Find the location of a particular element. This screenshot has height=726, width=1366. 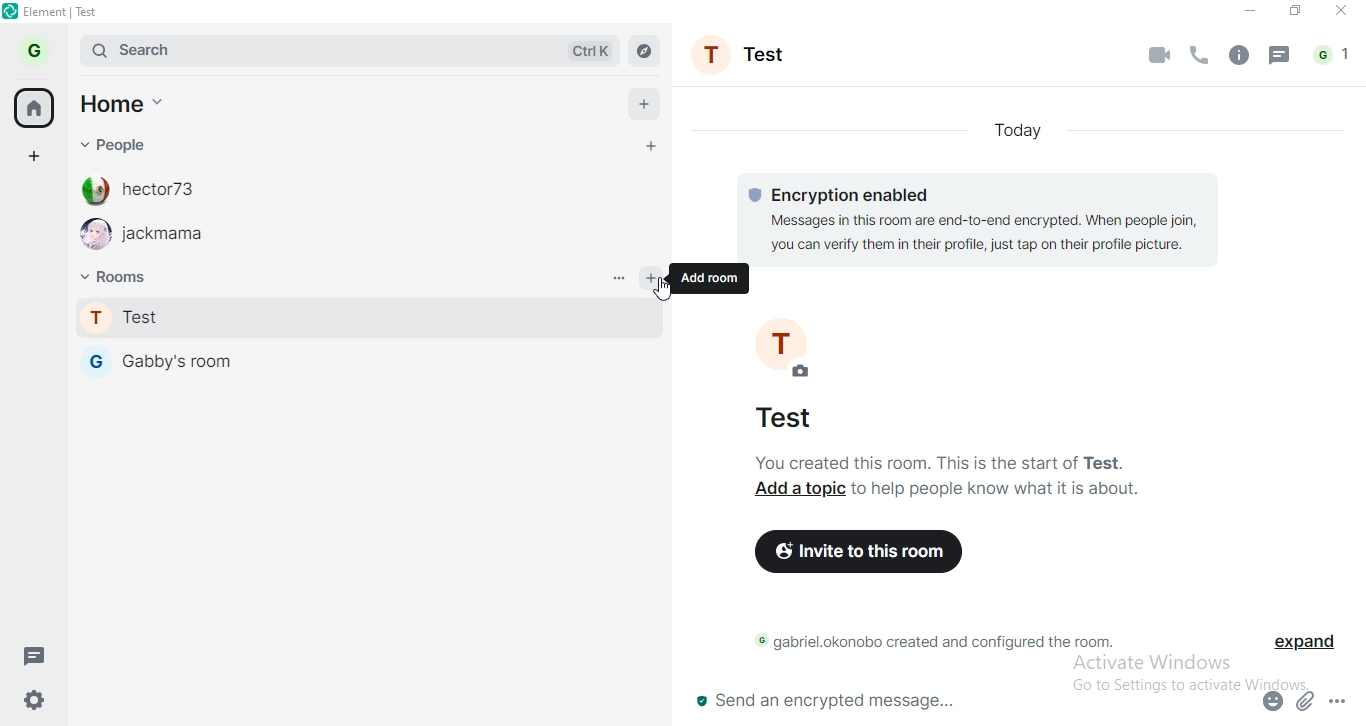

add is located at coordinates (643, 103).